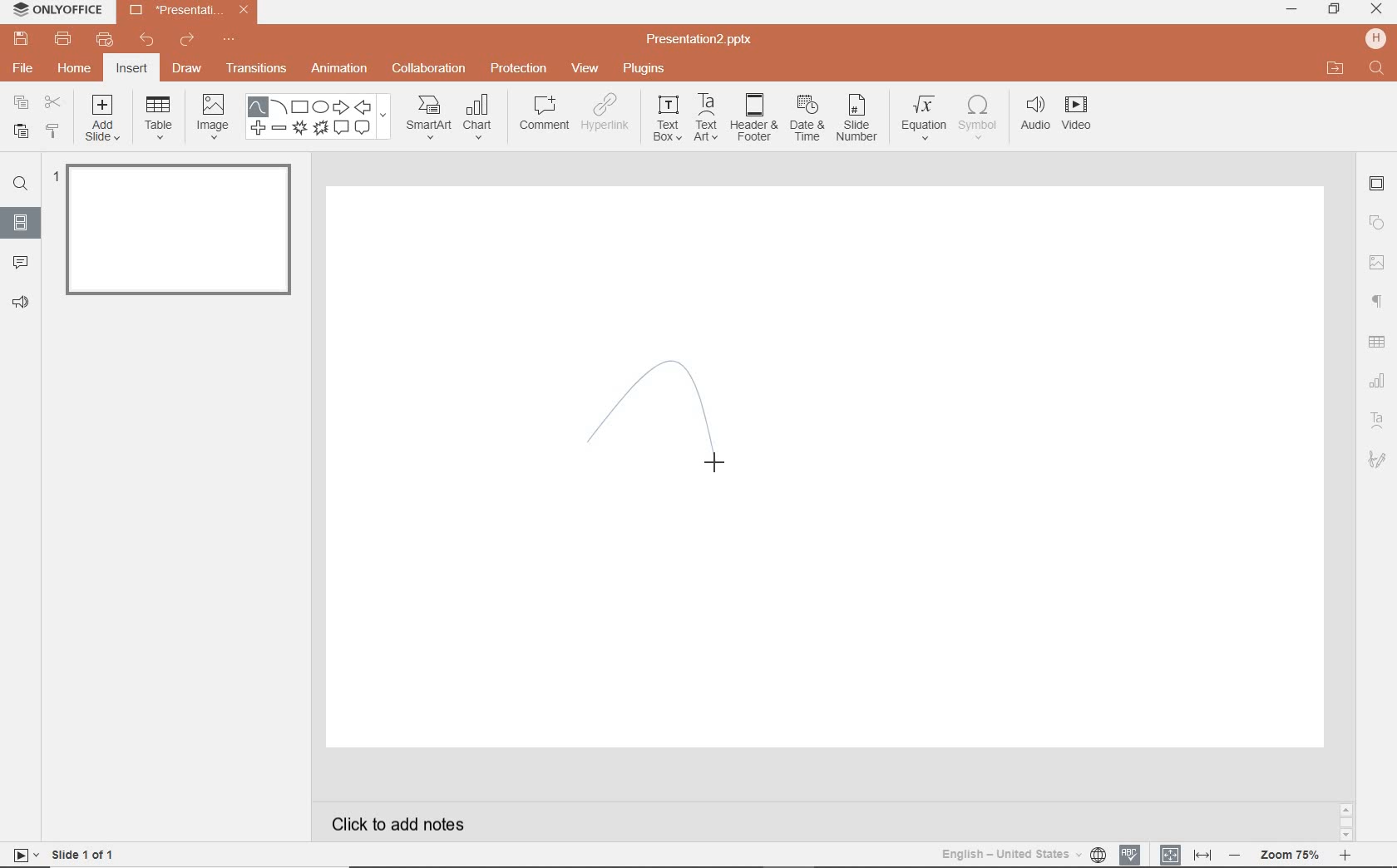 The height and width of the screenshot is (868, 1397). I want to click on HOME, so click(73, 70).